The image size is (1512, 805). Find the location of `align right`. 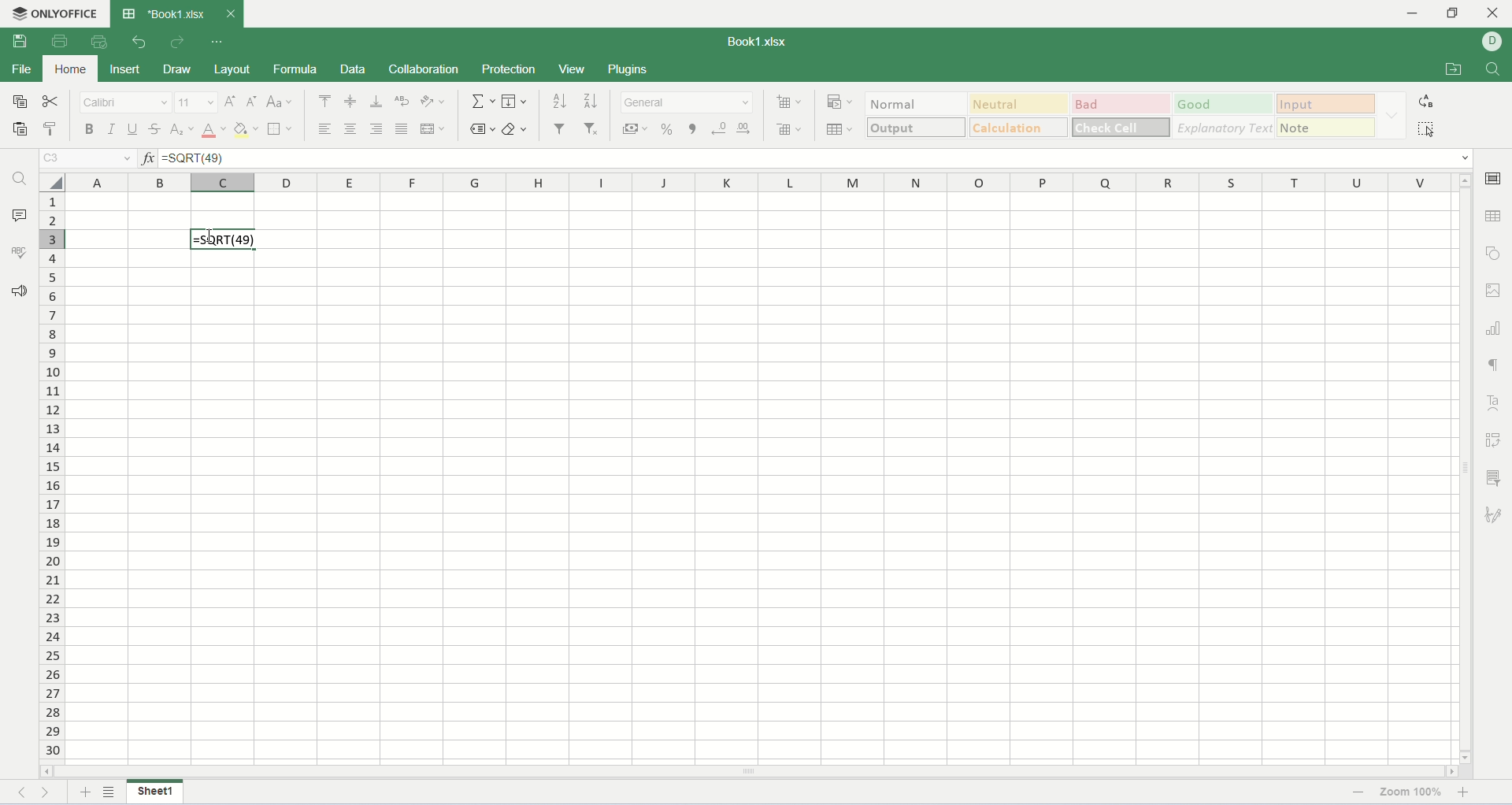

align right is located at coordinates (376, 129).